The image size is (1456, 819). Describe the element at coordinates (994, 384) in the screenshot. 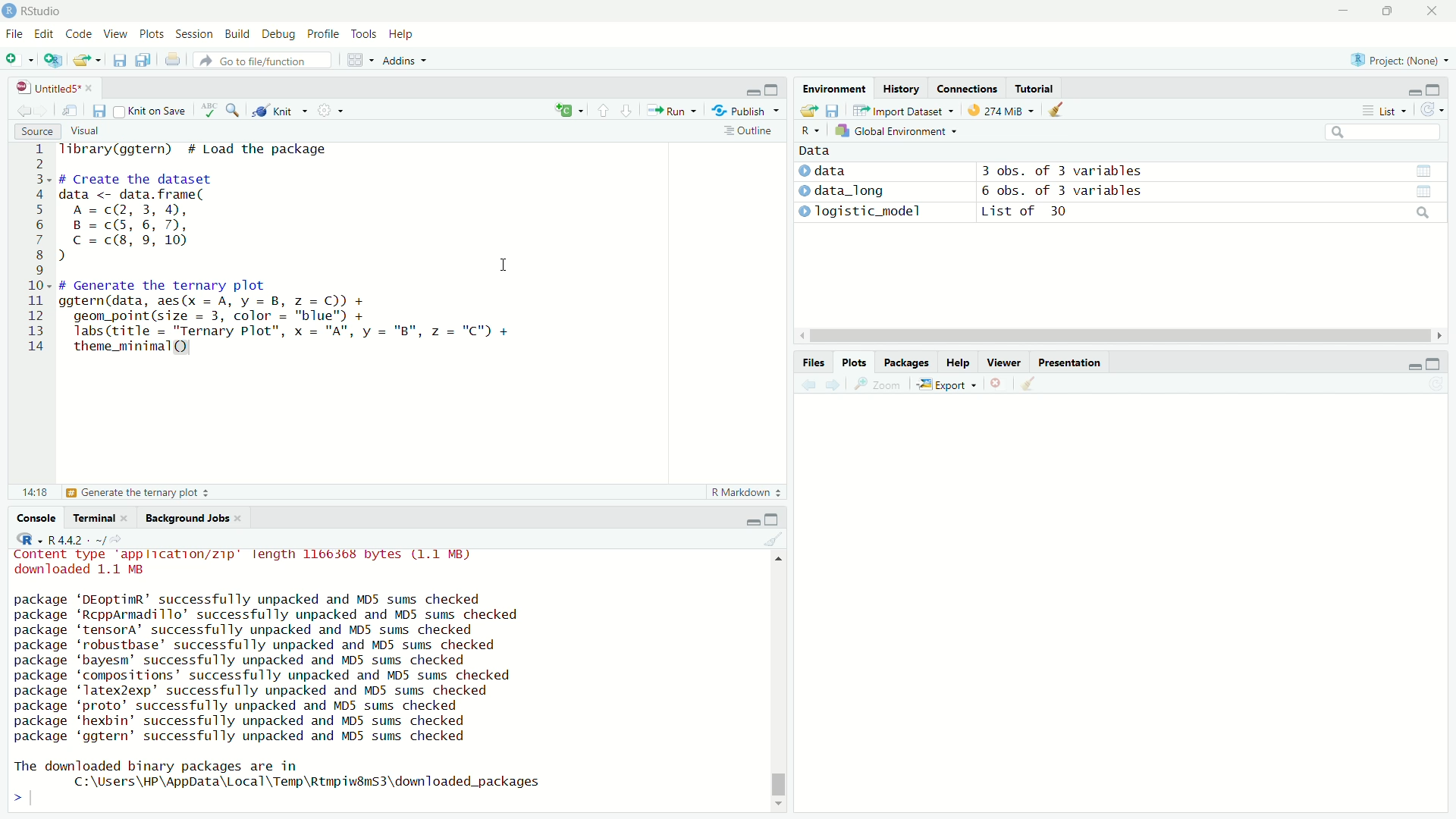

I see `close` at that location.